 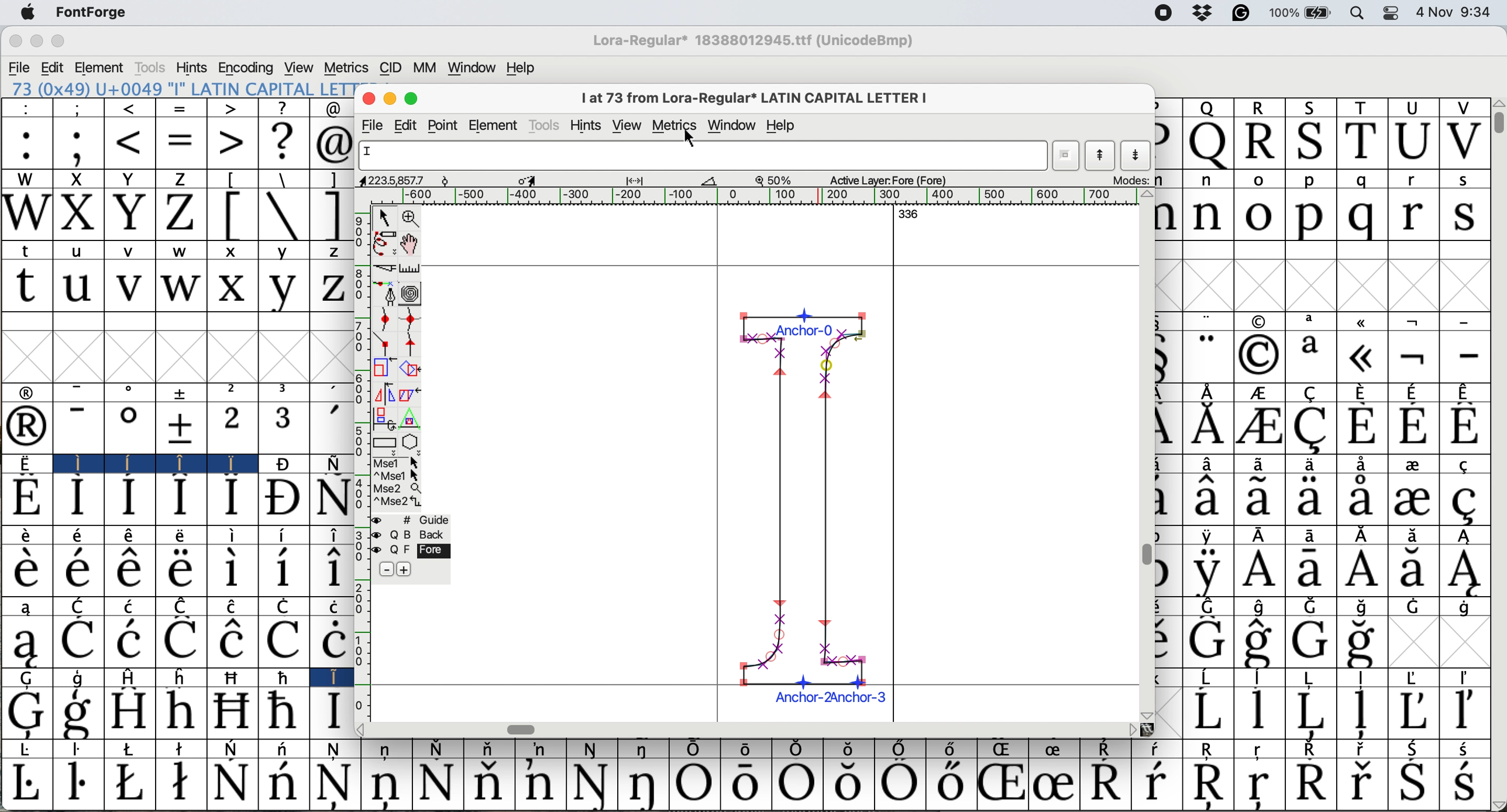 What do you see at coordinates (761, 101) in the screenshot?
I see `I at 73from Lora-Regular* LATIN CAPITAL LETTER I` at bounding box center [761, 101].